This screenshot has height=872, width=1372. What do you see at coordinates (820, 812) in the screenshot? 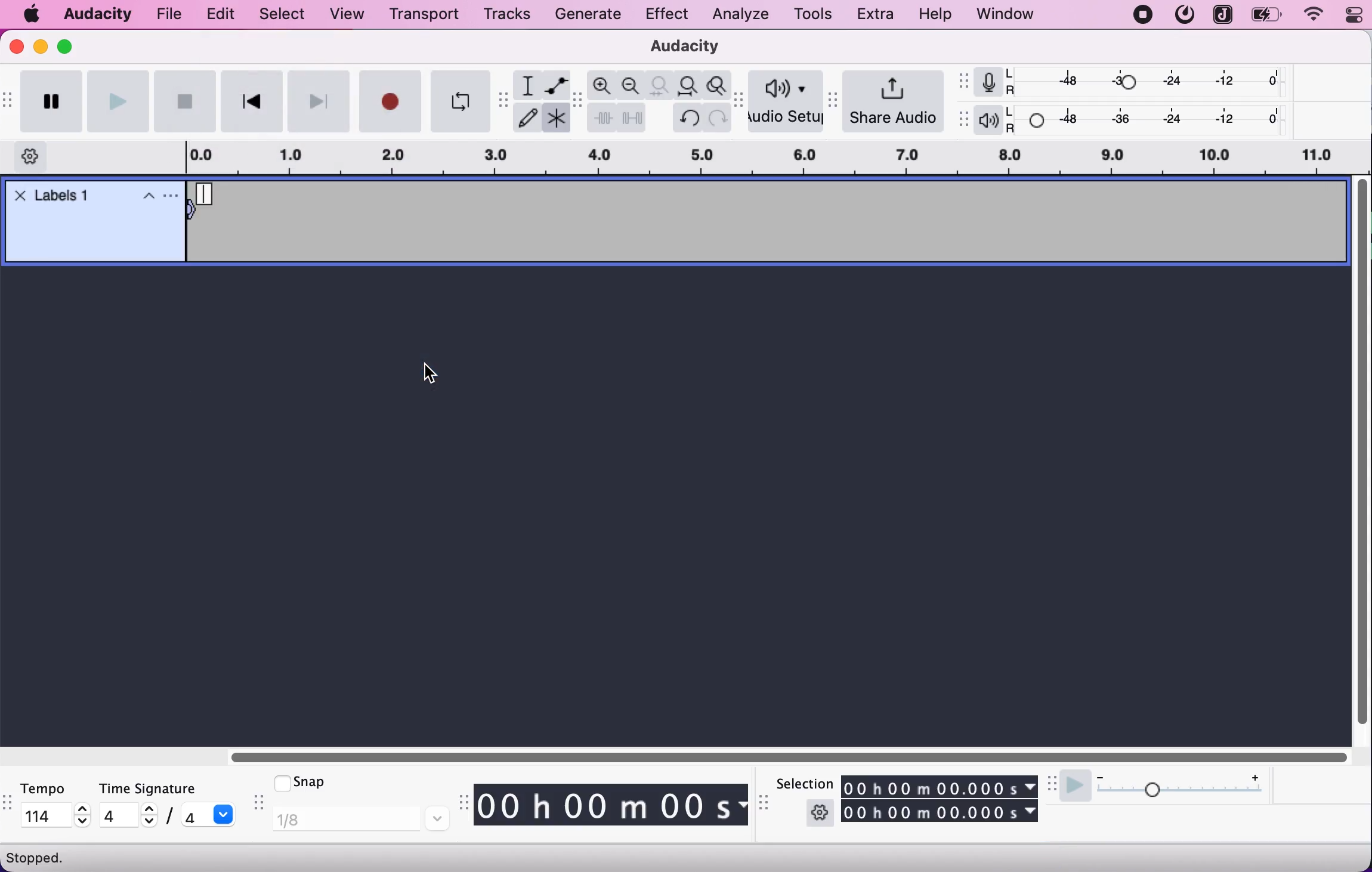
I see `settings` at bounding box center [820, 812].